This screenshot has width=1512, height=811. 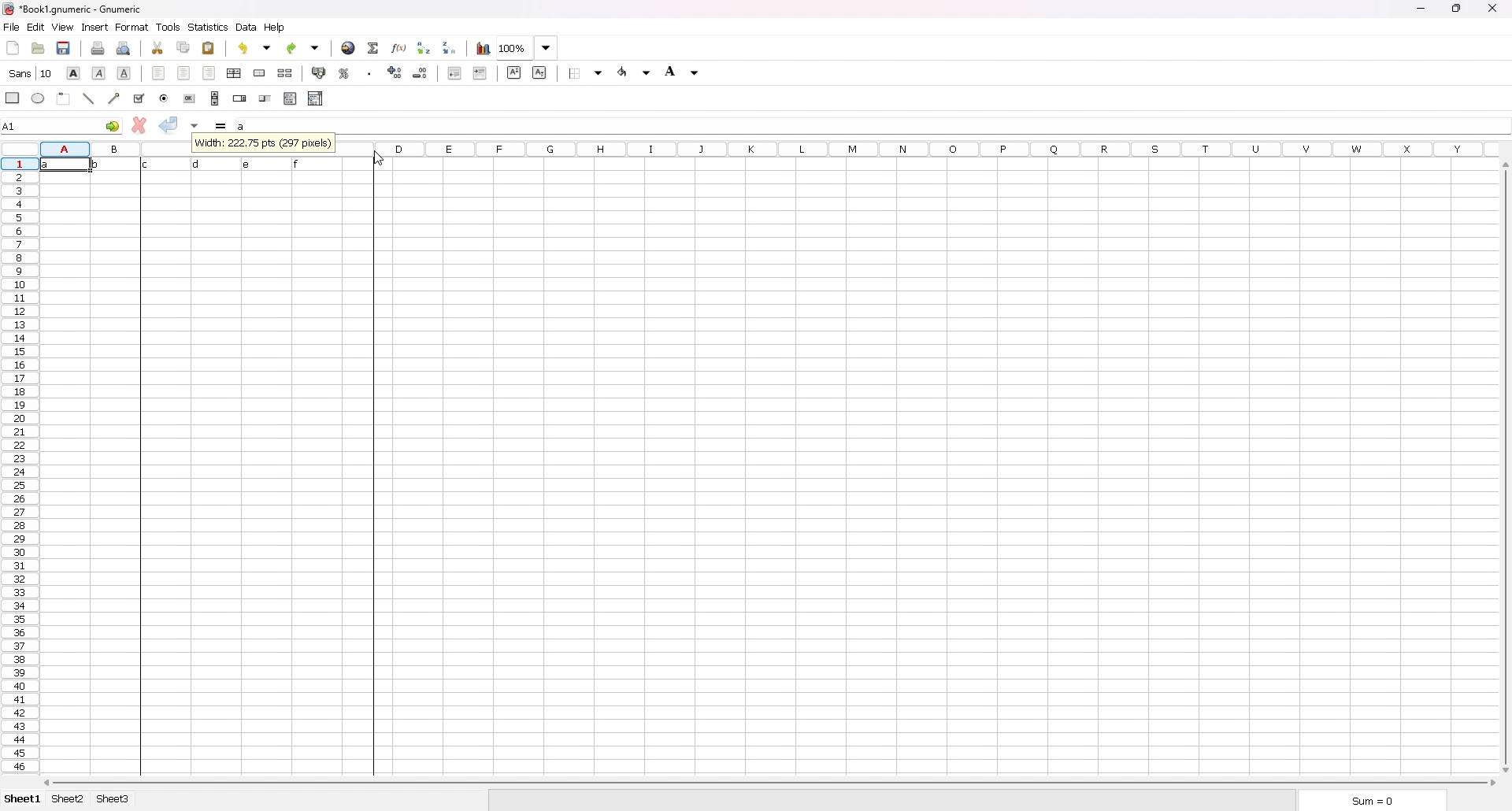 I want to click on hyperlink, so click(x=348, y=48).